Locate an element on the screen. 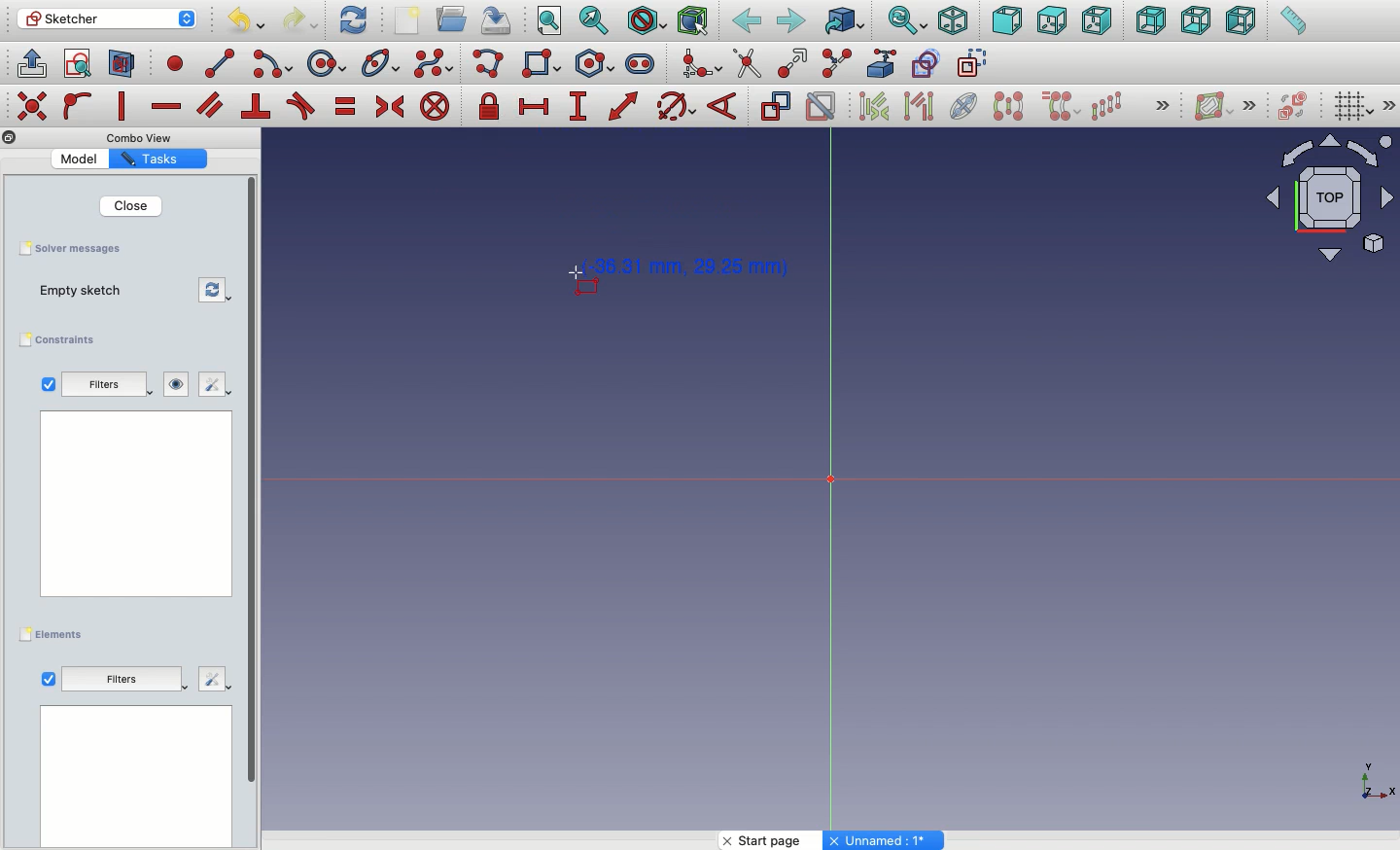  Forward is located at coordinates (791, 20).